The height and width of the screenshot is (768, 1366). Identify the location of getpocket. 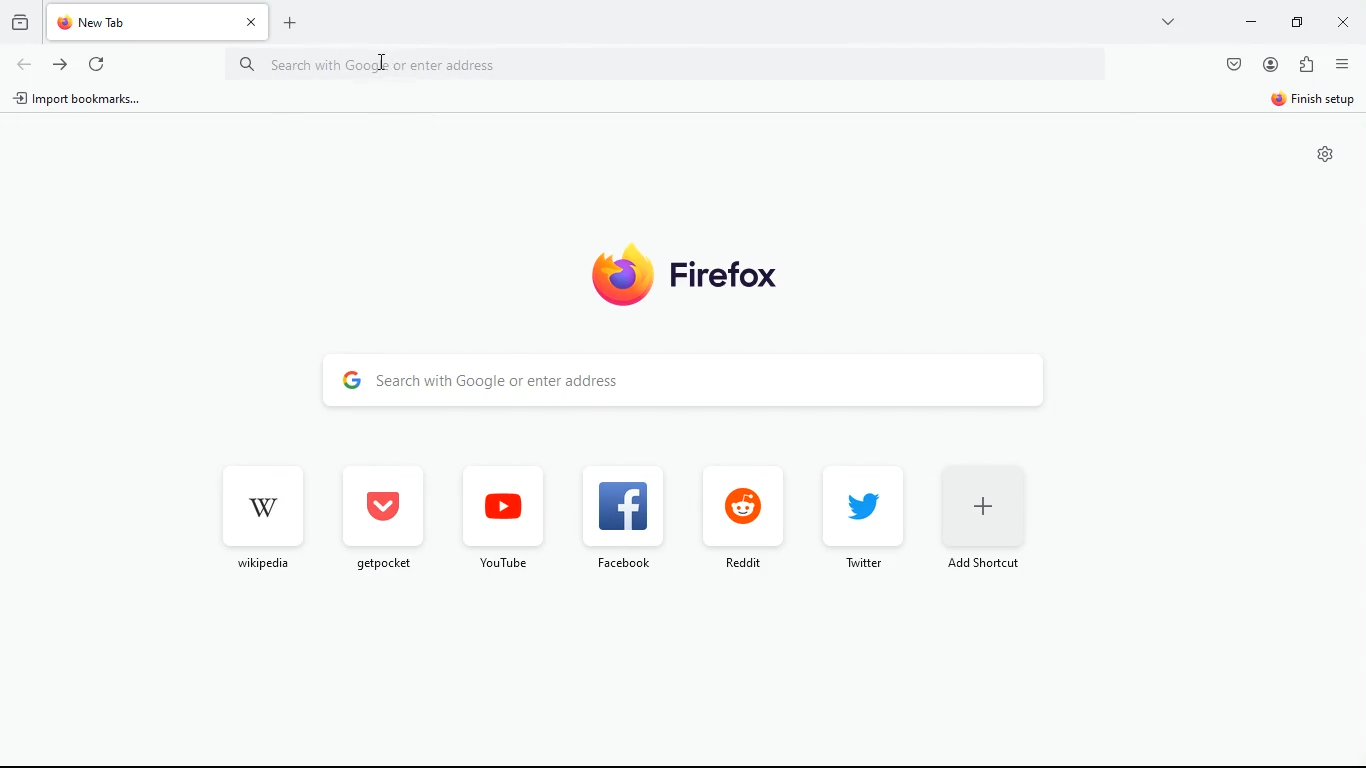
(380, 517).